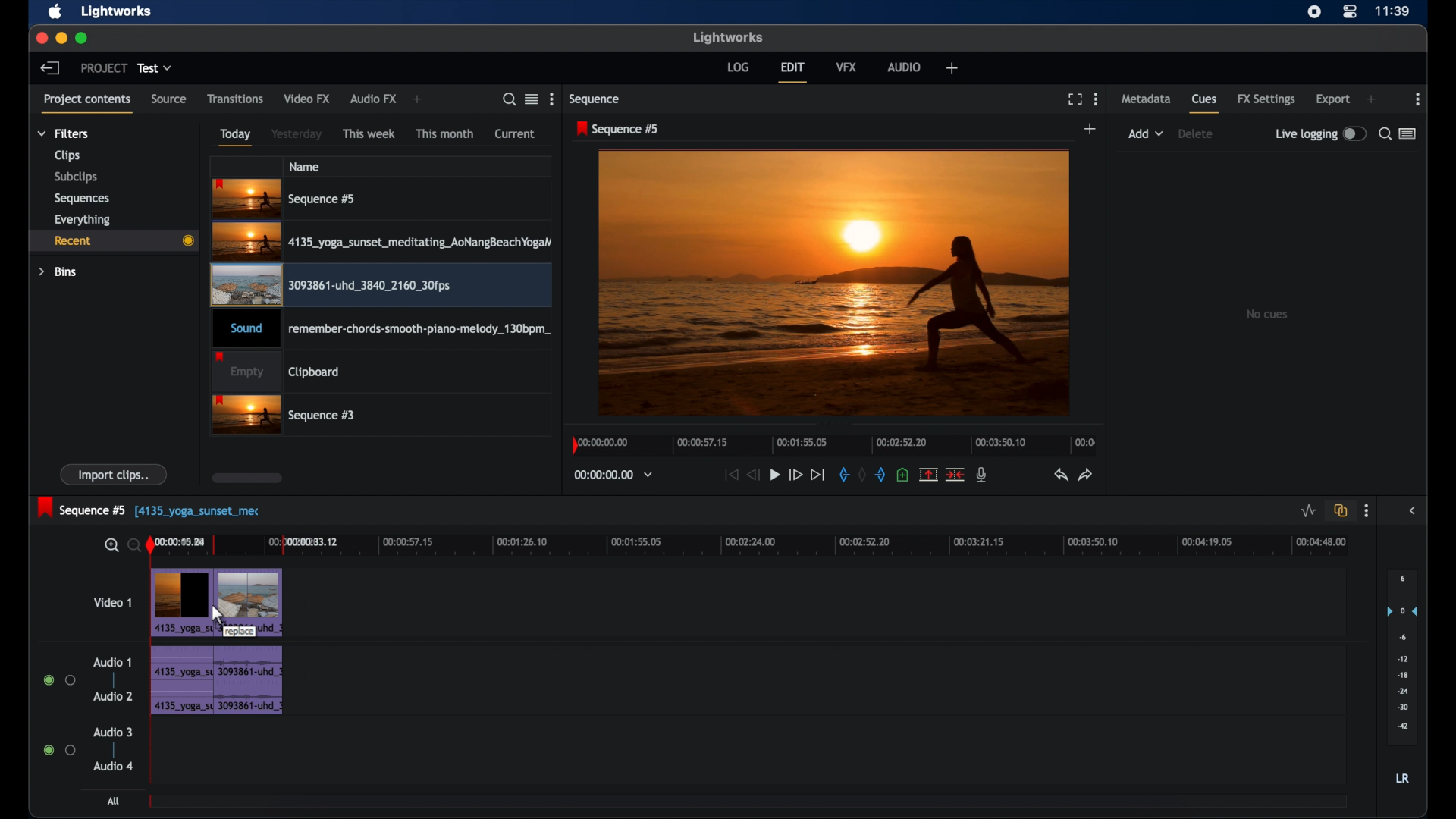 The width and height of the screenshot is (1456, 819). Describe the element at coordinates (551, 99) in the screenshot. I see `more options` at that location.